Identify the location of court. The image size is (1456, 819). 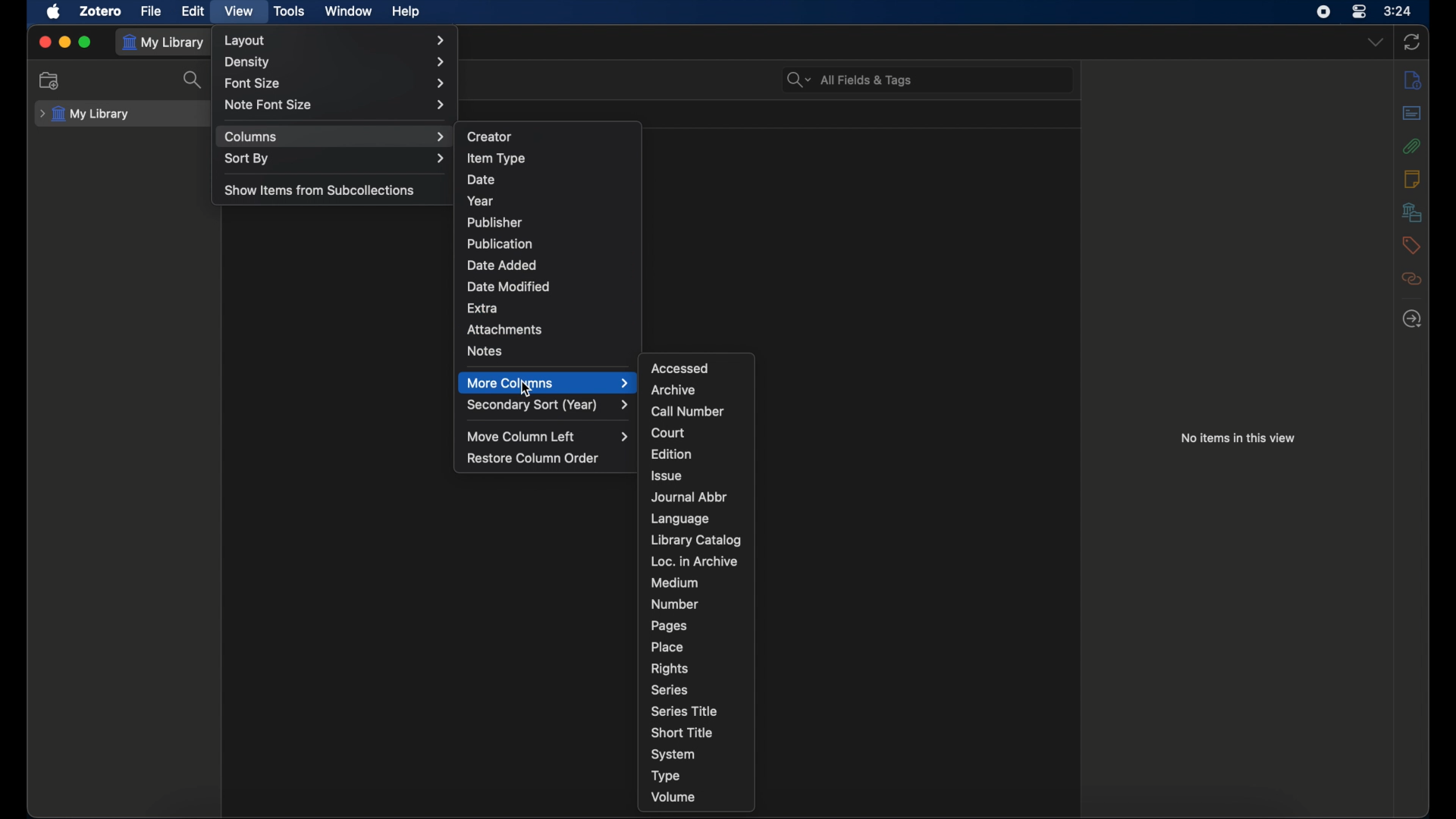
(668, 432).